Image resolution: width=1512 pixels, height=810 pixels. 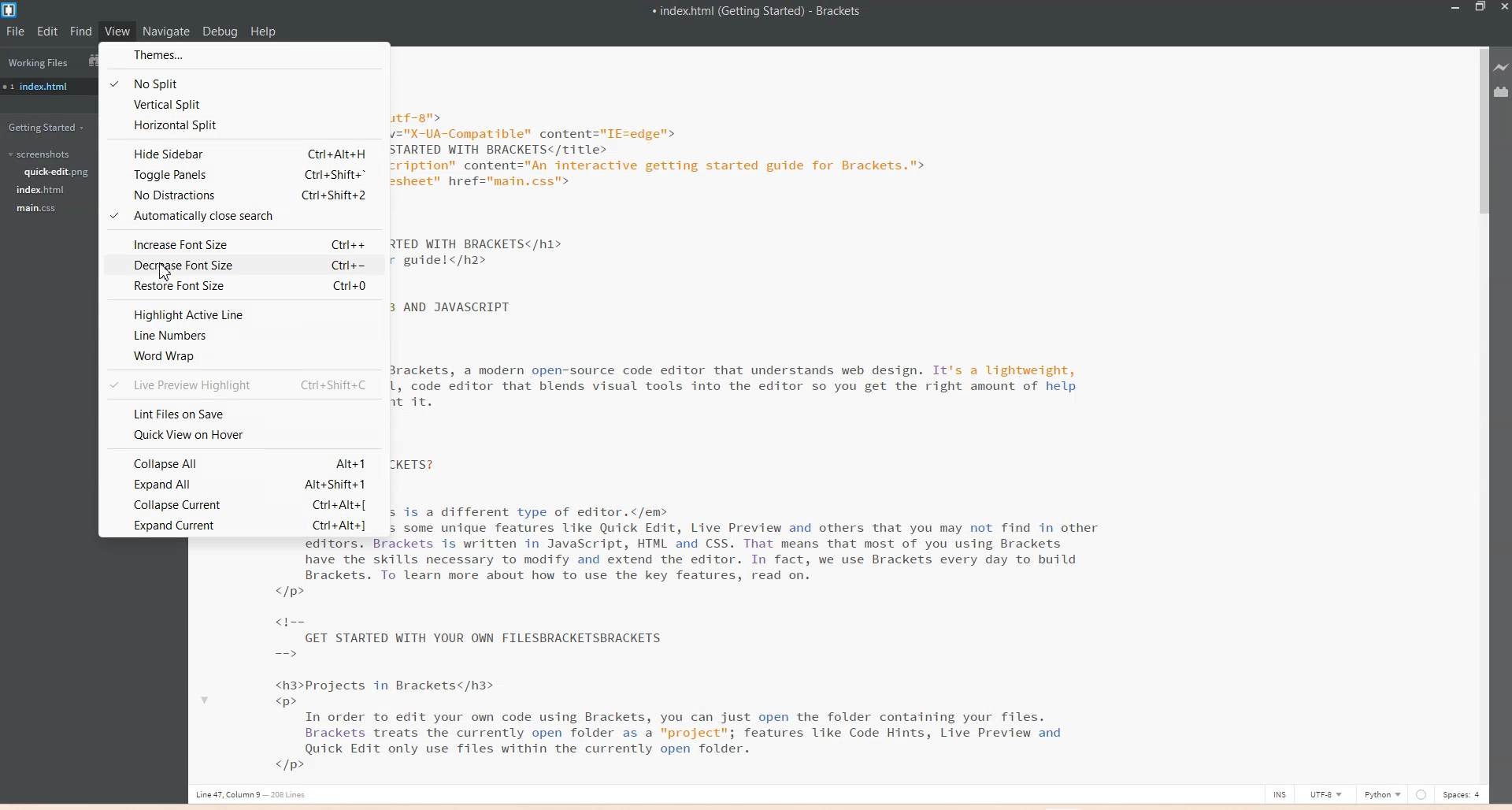 What do you see at coordinates (40, 154) in the screenshot?
I see `Screenshots` at bounding box center [40, 154].